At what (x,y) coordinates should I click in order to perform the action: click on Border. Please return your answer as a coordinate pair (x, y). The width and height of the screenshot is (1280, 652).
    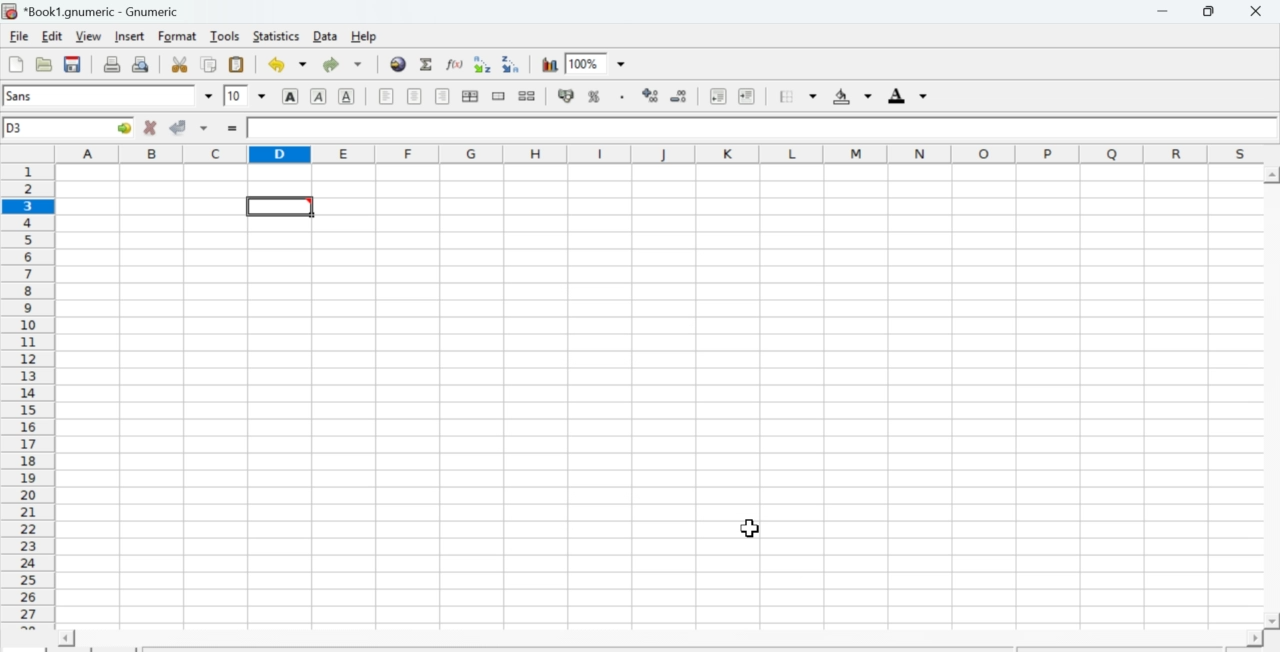
    Looking at the image, I should click on (798, 97).